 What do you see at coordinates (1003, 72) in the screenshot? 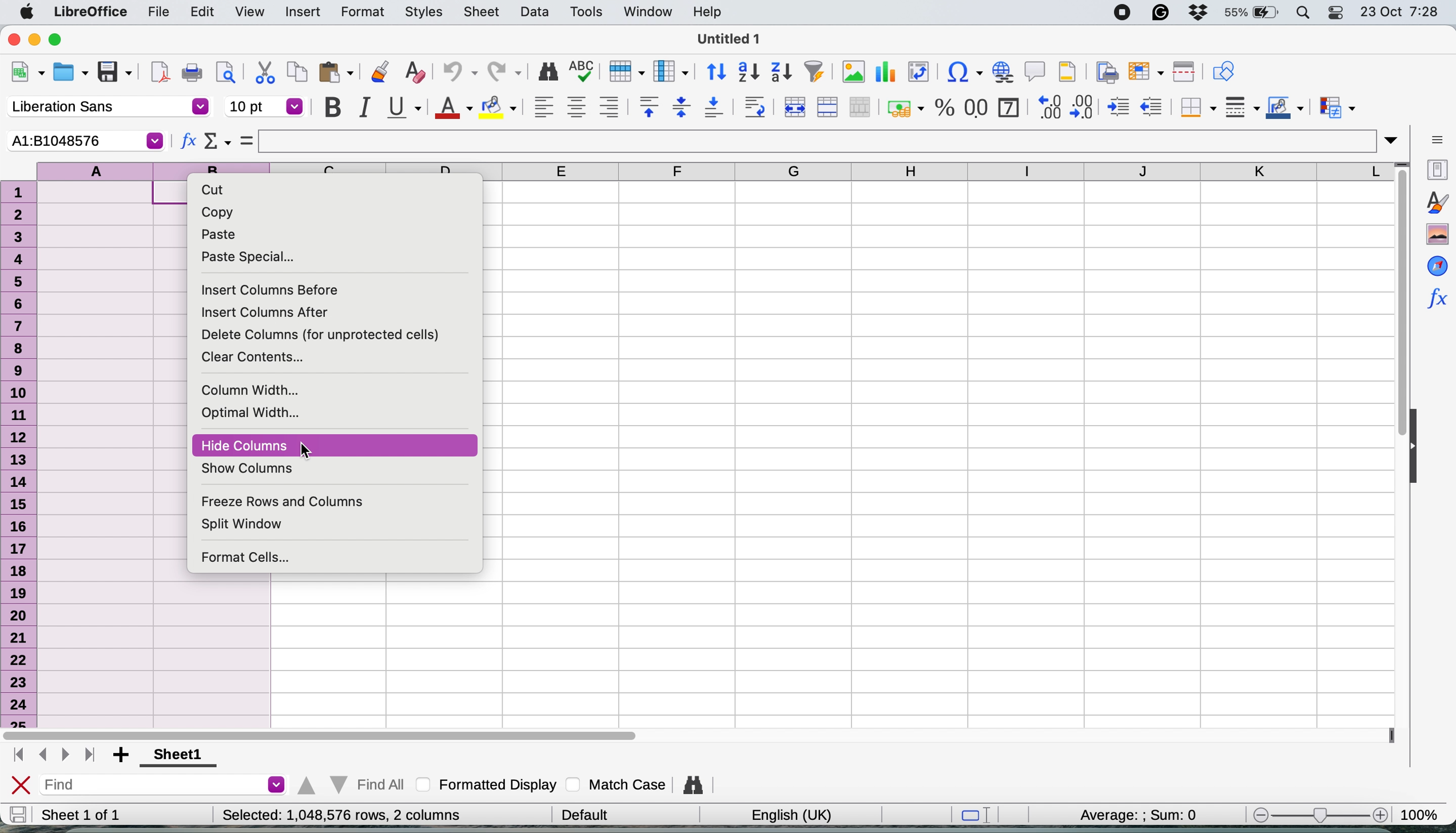
I see `insert hyperlink` at bounding box center [1003, 72].